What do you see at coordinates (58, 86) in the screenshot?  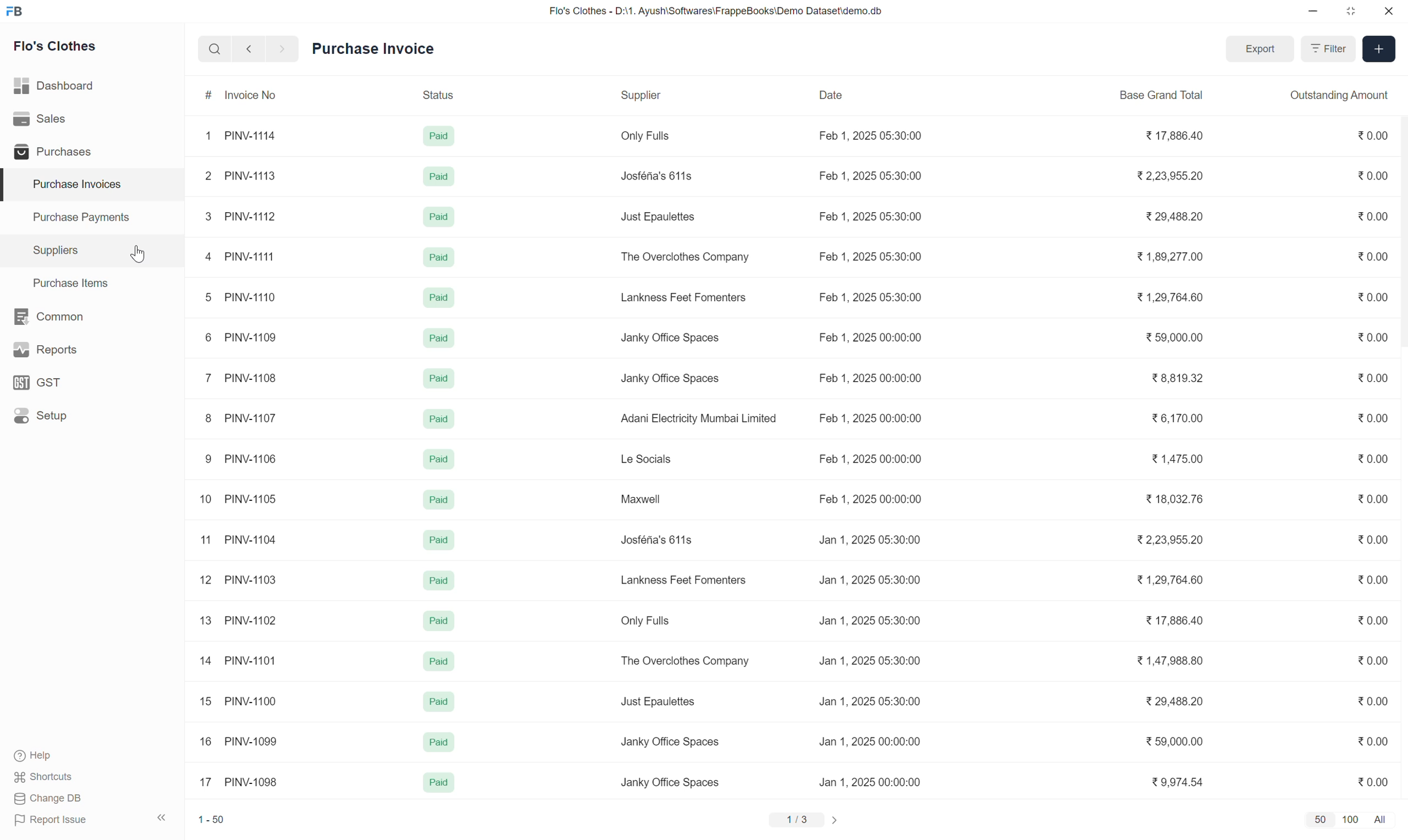 I see `Dashboard` at bounding box center [58, 86].